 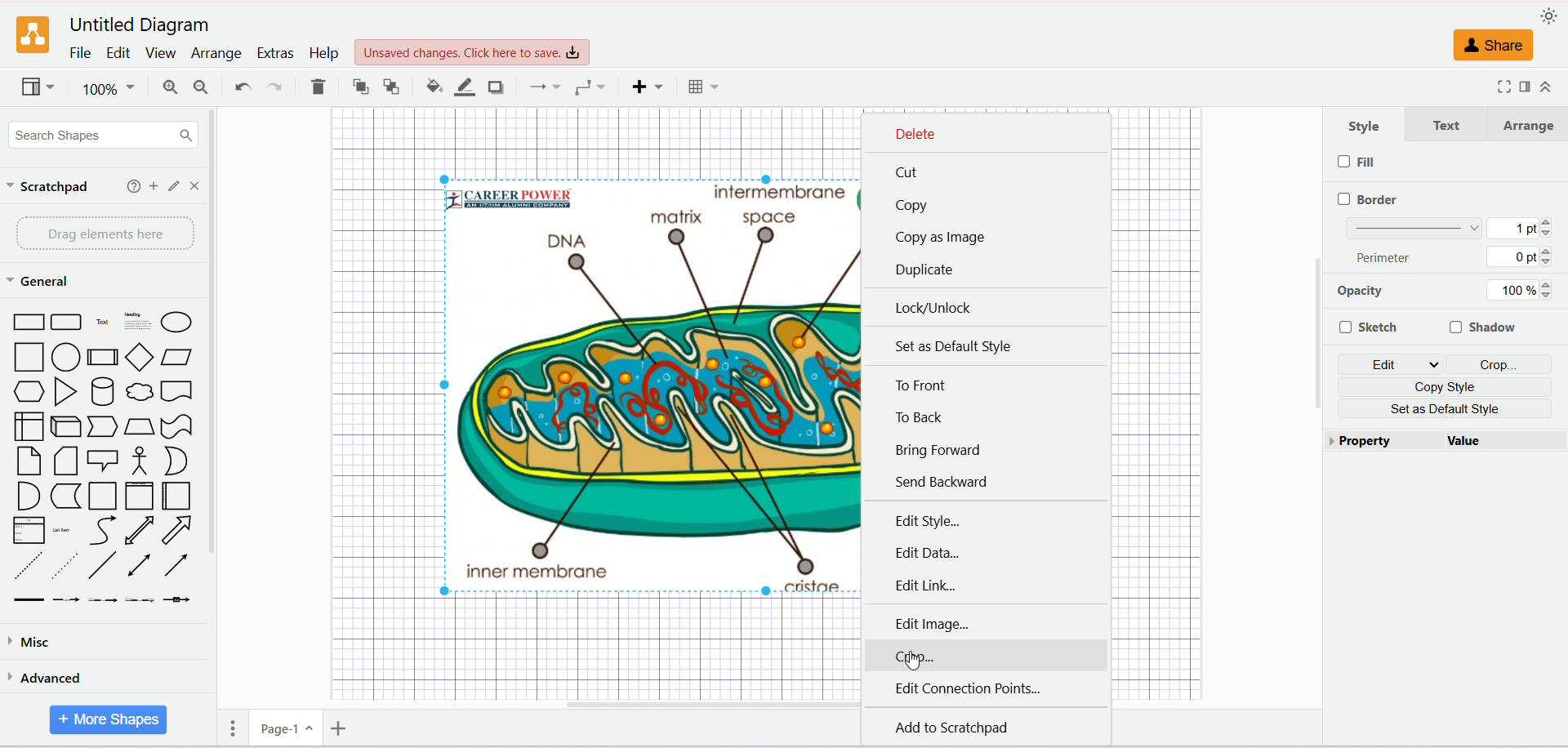 What do you see at coordinates (391, 87) in the screenshot?
I see `to back` at bounding box center [391, 87].